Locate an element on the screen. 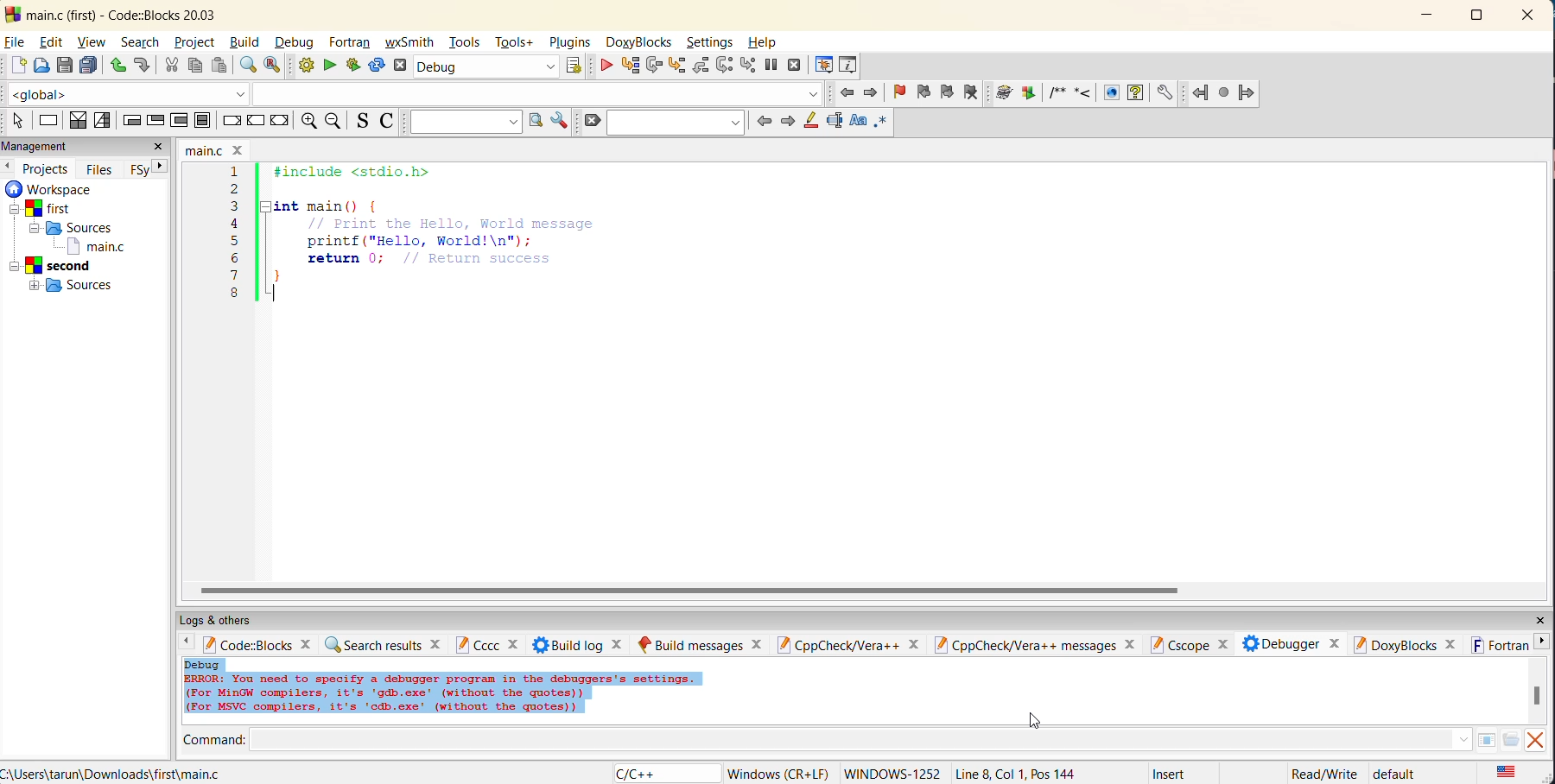 The height and width of the screenshot is (784, 1555). cppcheck/vera++messages is located at coordinates (1037, 645).